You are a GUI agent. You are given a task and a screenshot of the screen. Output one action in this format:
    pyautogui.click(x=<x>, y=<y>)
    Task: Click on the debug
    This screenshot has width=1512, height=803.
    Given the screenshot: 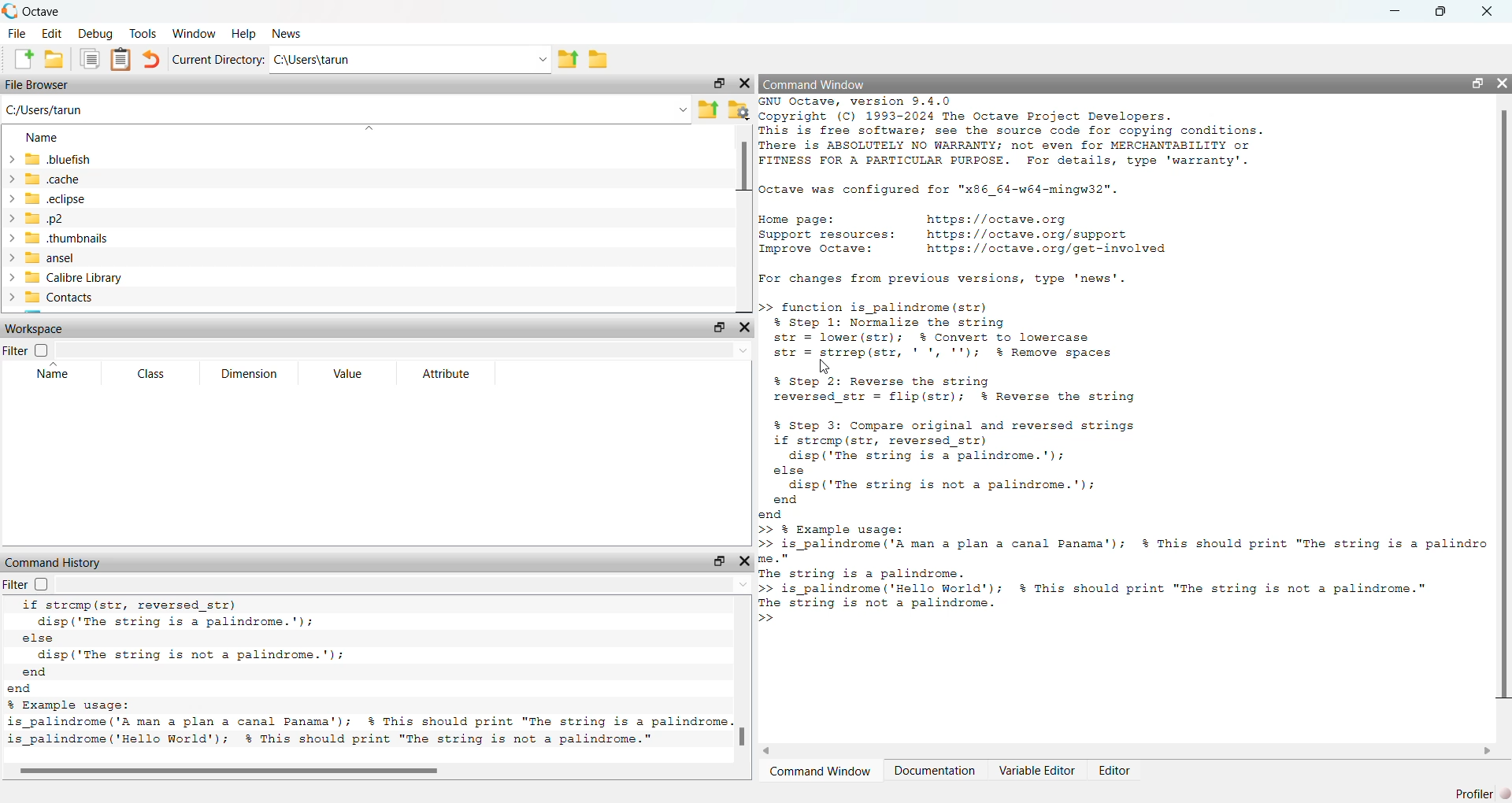 What is the action you would take?
    pyautogui.click(x=94, y=33)
    